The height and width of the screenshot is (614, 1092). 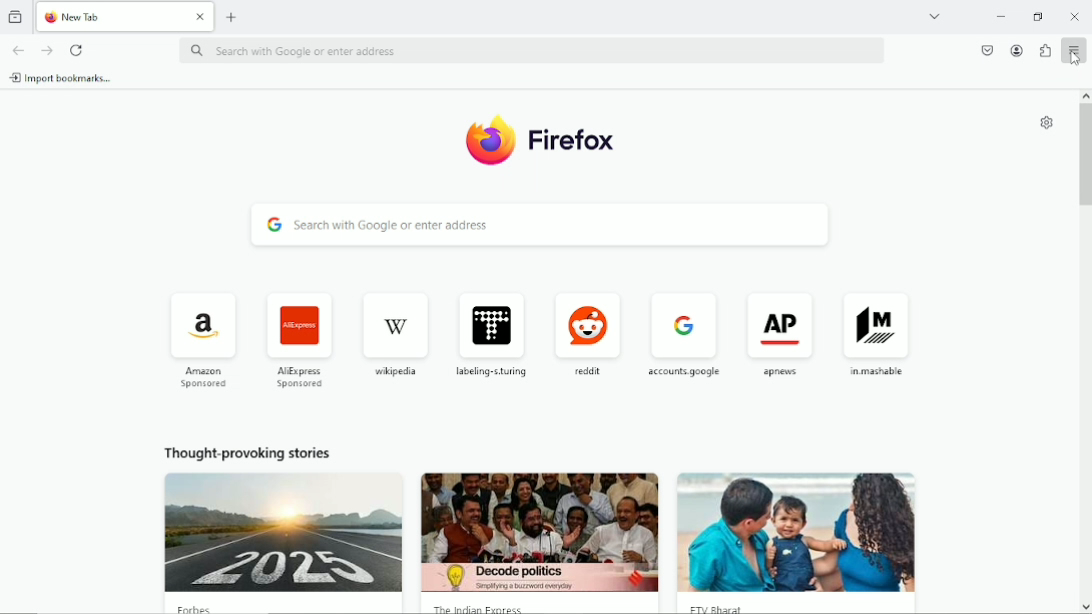 What do you see at coordinates (805, 541) in the screenshot?
I see `Image` at bounding box center [805, 541].